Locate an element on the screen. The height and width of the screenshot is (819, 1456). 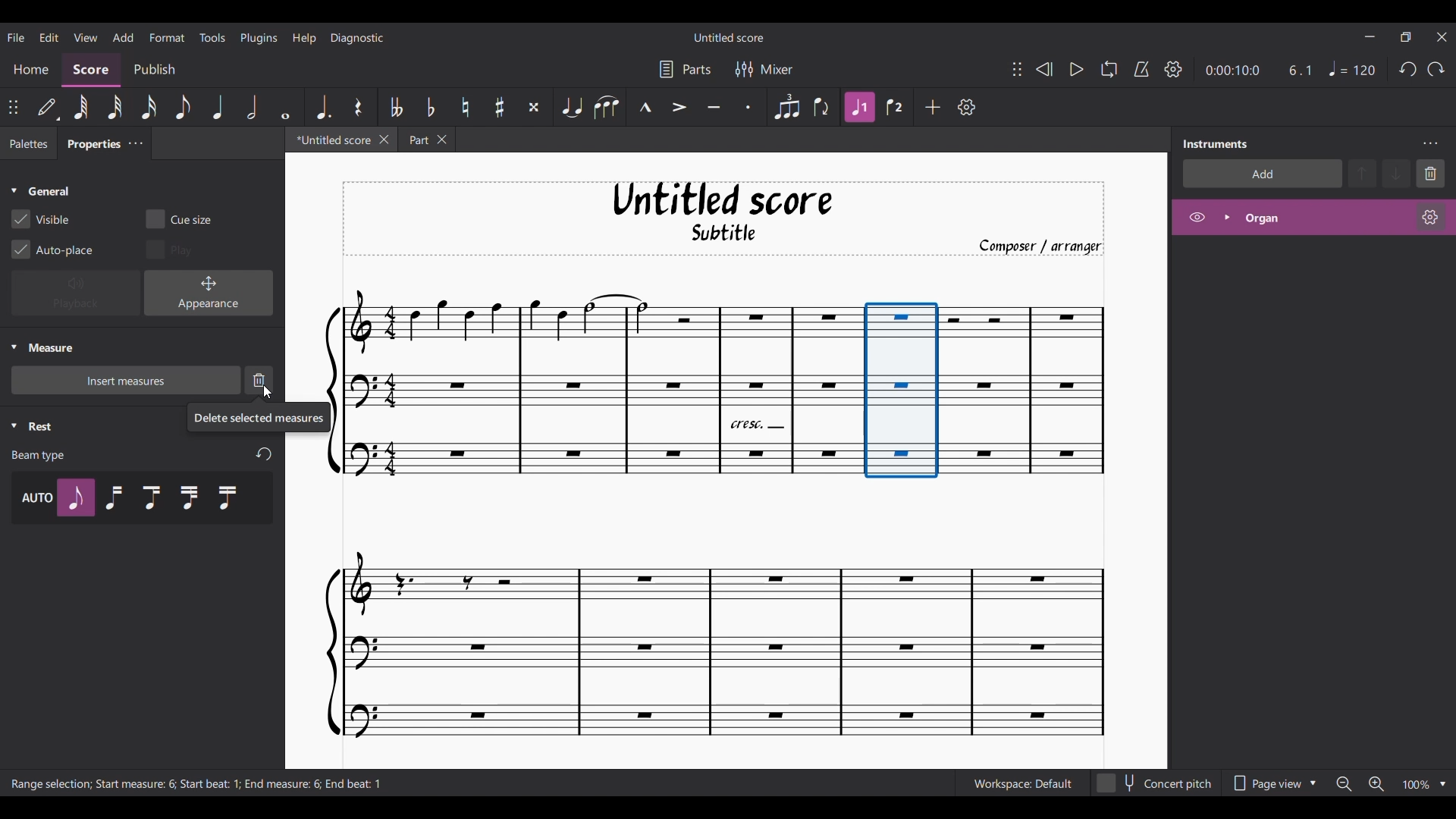
Augmentation dot is located at coordinates (322, 107).